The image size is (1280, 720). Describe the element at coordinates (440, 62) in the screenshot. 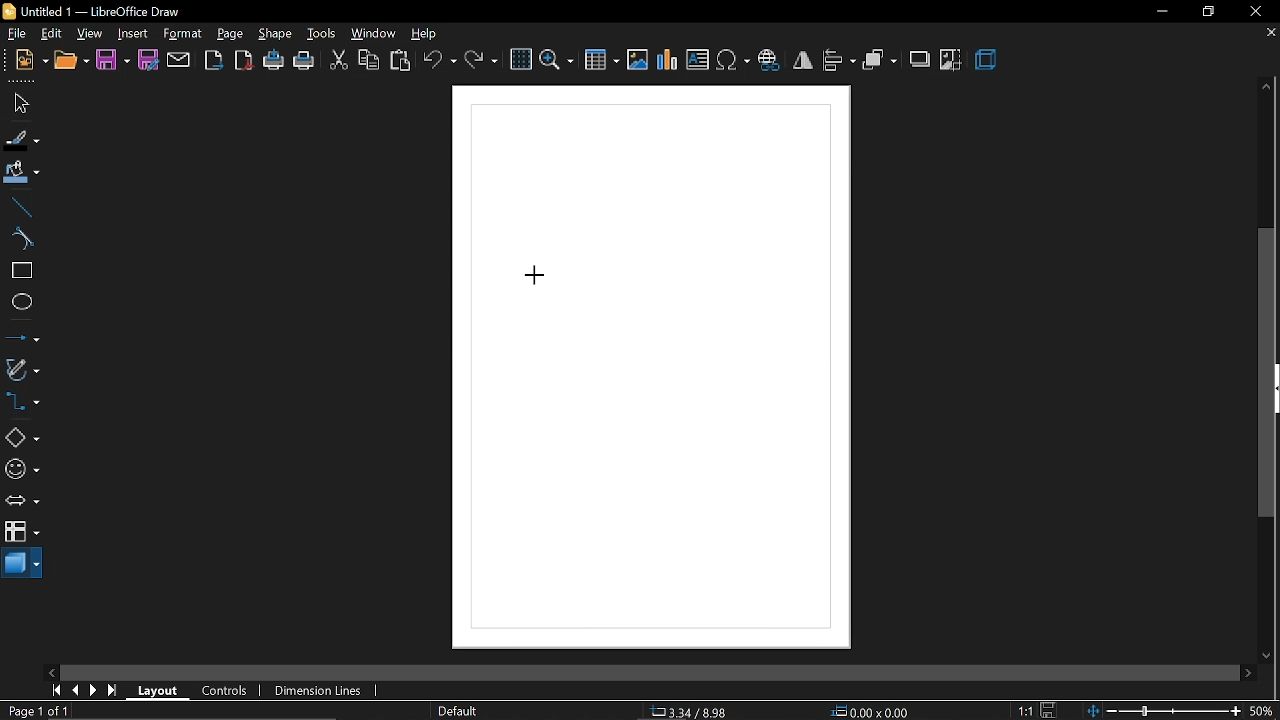

I see `undo` at that location.